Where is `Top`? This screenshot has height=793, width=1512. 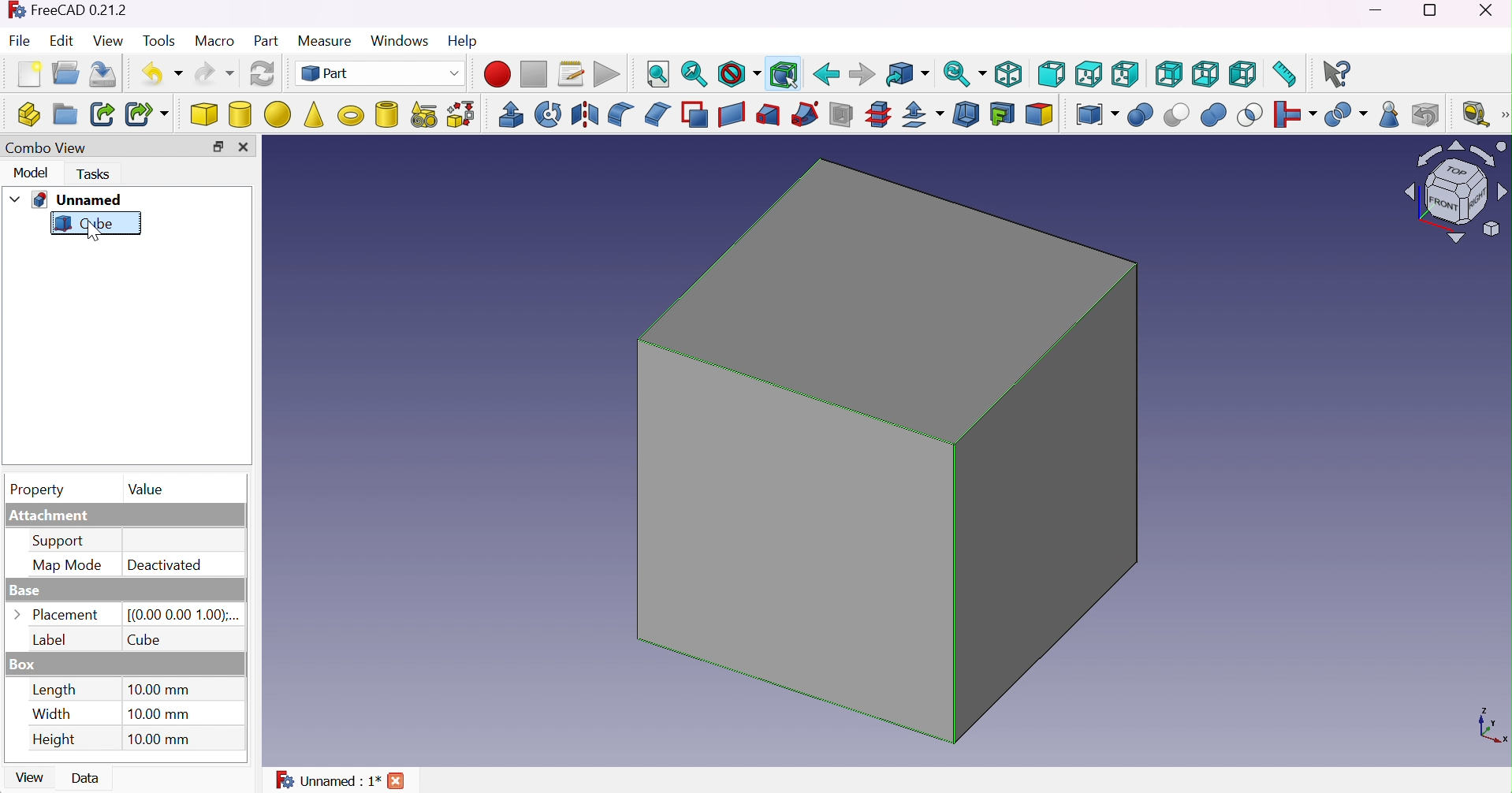 Top is located at coordinates (1089, 76).